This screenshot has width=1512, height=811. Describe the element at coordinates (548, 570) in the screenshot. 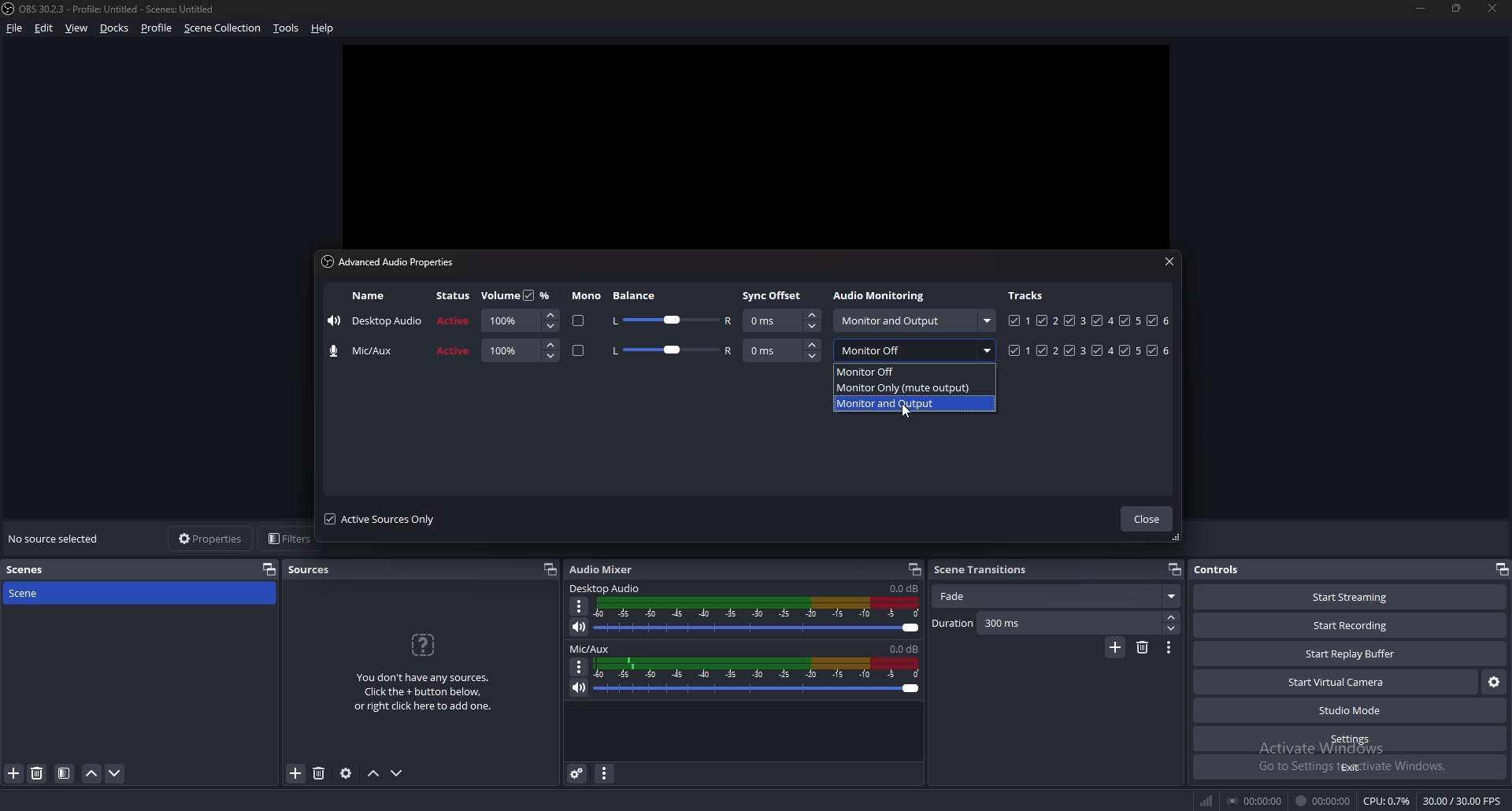

I see `popout` at that location.